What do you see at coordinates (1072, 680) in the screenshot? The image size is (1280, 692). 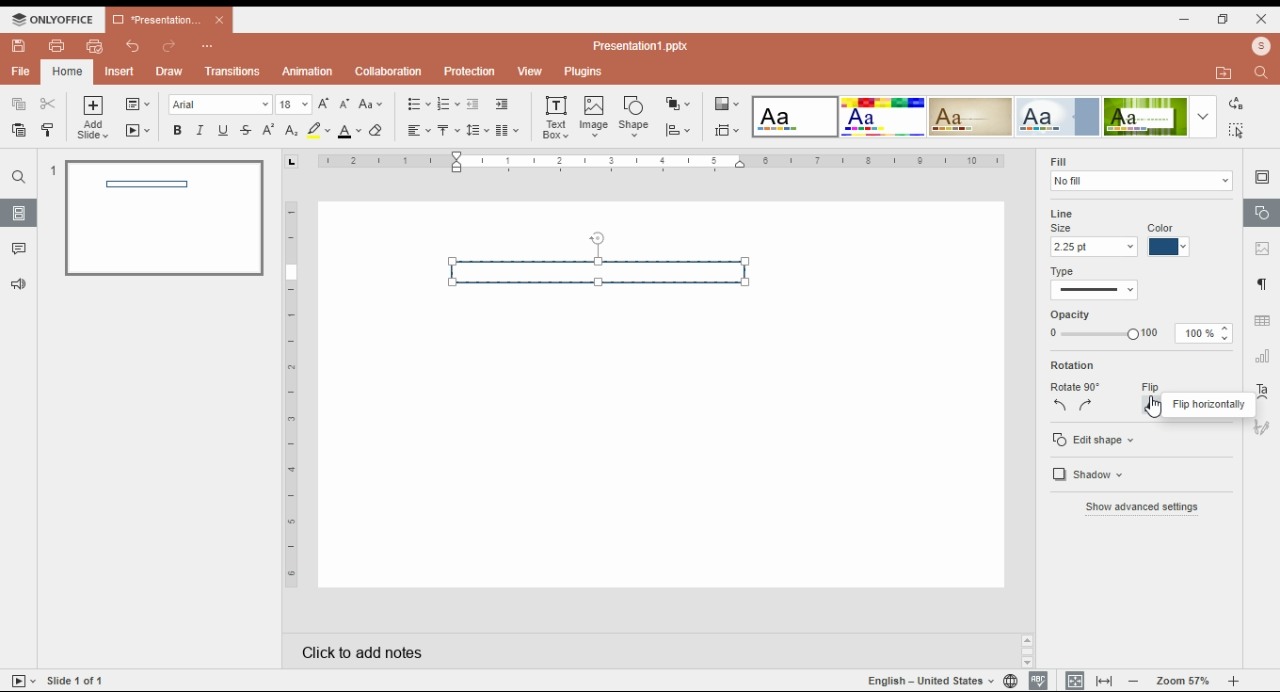 I see `fit slide` at bounding box center [1072, 680].